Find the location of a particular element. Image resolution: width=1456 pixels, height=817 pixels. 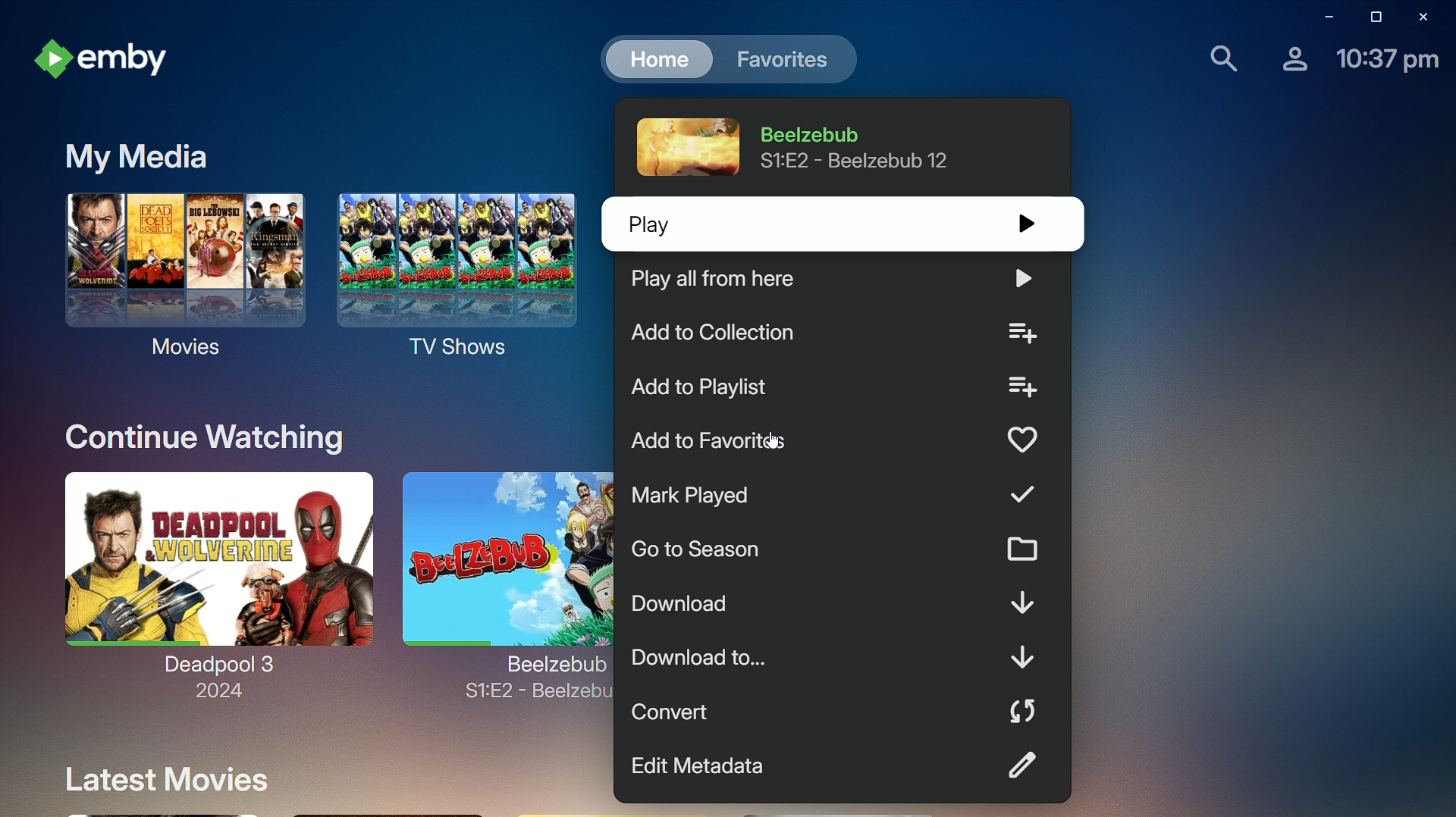

Favorites is located at coordinates (779, 59).